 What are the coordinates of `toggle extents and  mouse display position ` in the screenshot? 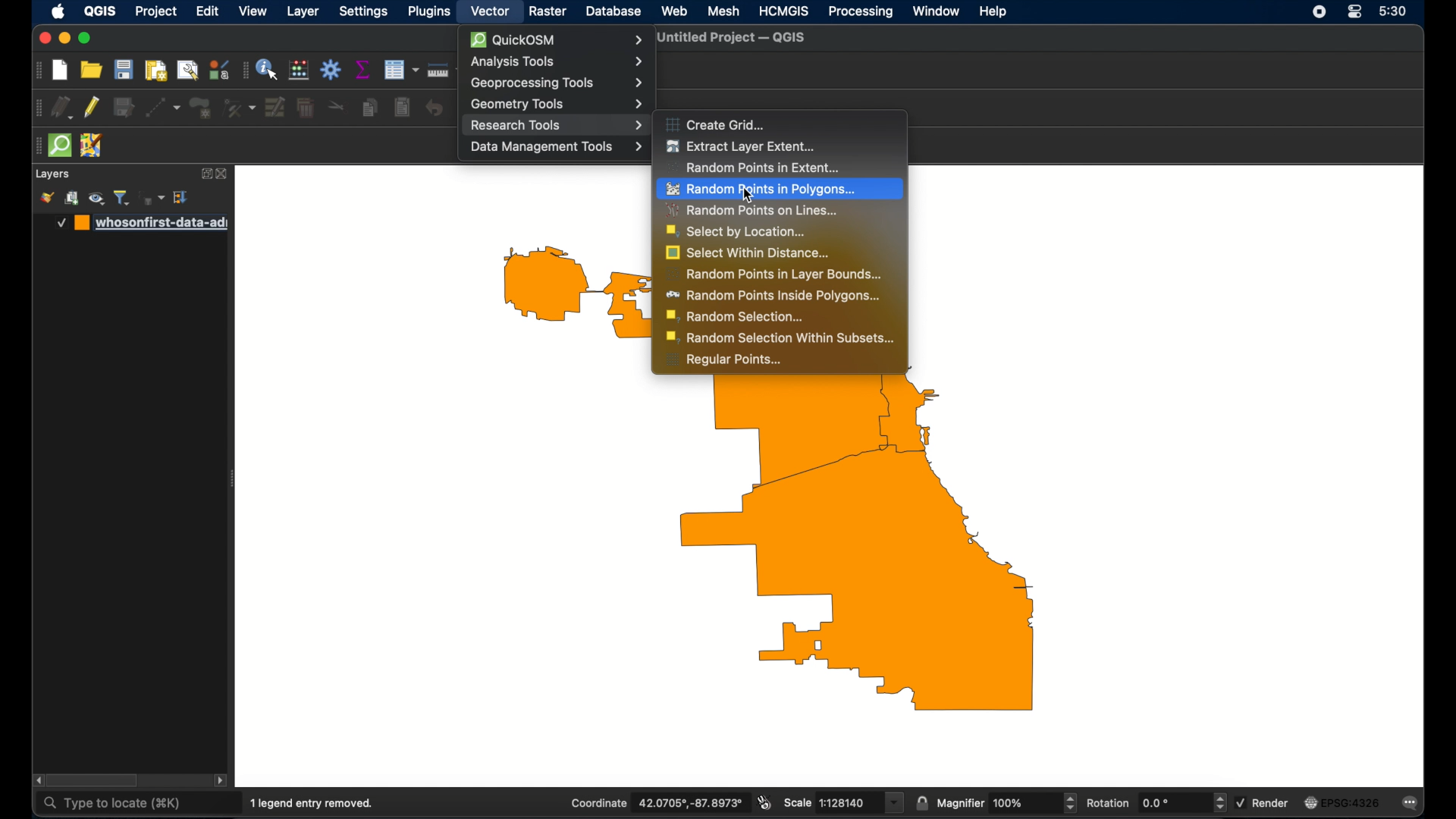 It's located at (764, 802).